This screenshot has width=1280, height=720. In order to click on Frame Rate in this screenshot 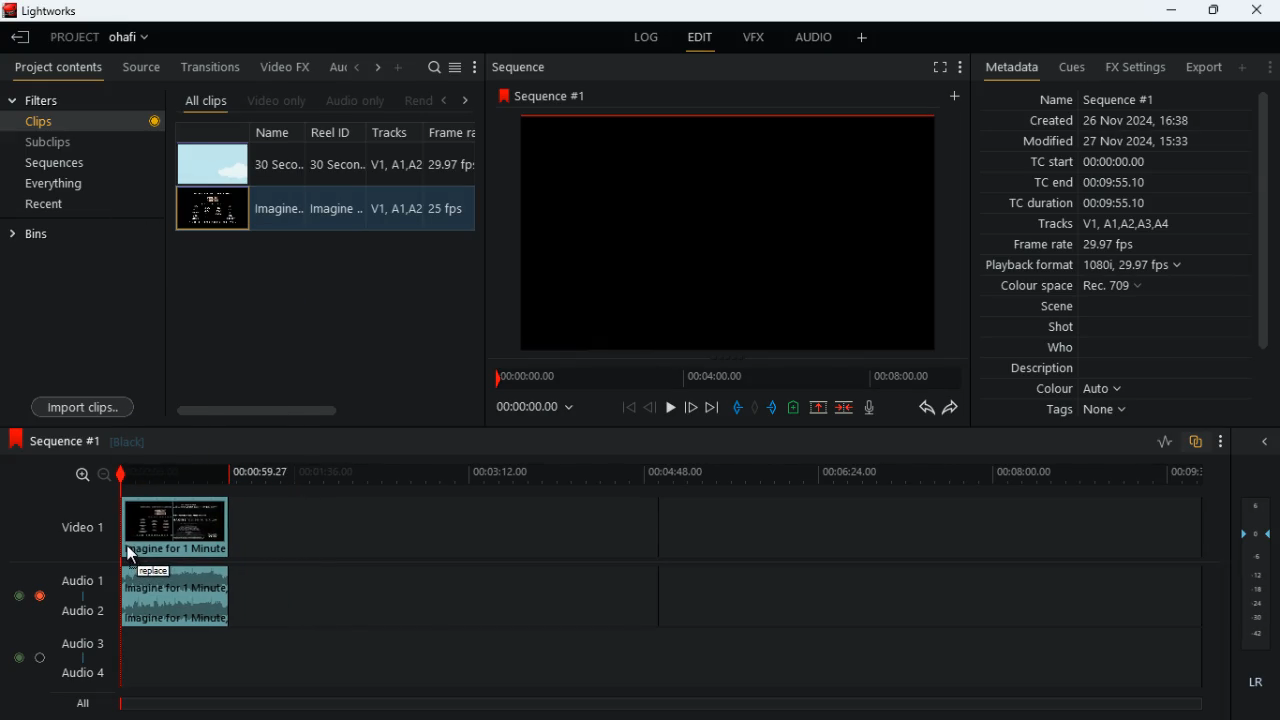, I will do `click(448, 209)`.